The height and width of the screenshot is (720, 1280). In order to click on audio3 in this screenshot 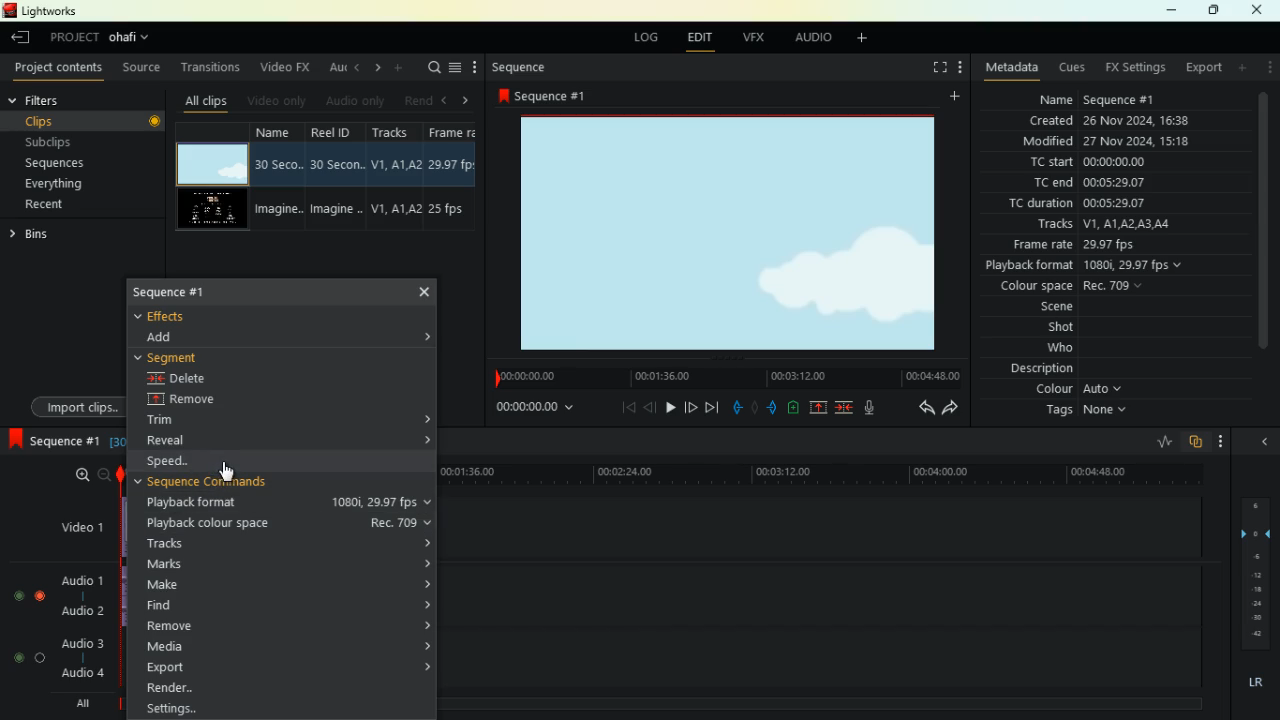, I will do `click(78, 642)`.